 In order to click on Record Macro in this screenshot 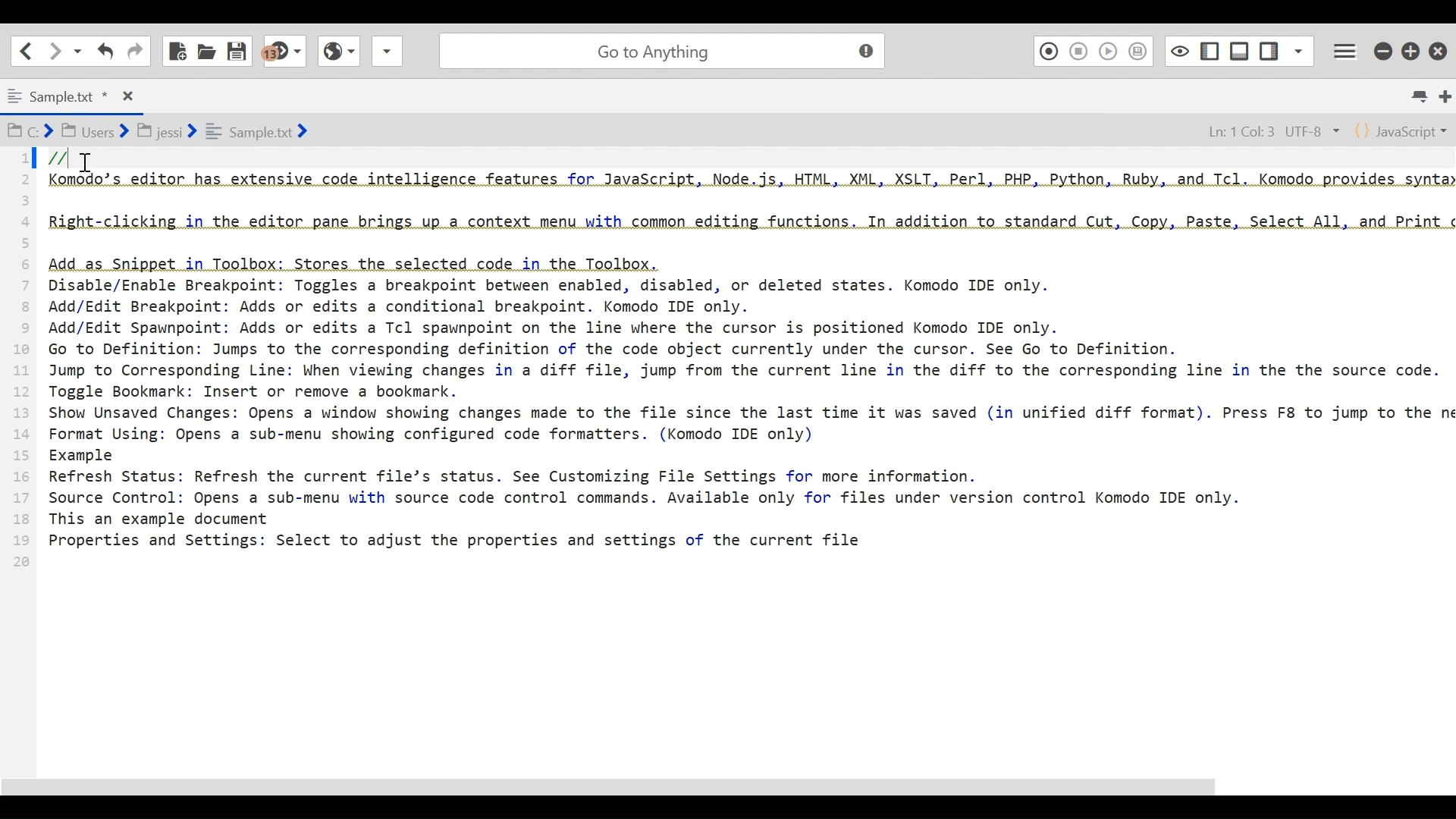, I will do `click(1048, 50)`.